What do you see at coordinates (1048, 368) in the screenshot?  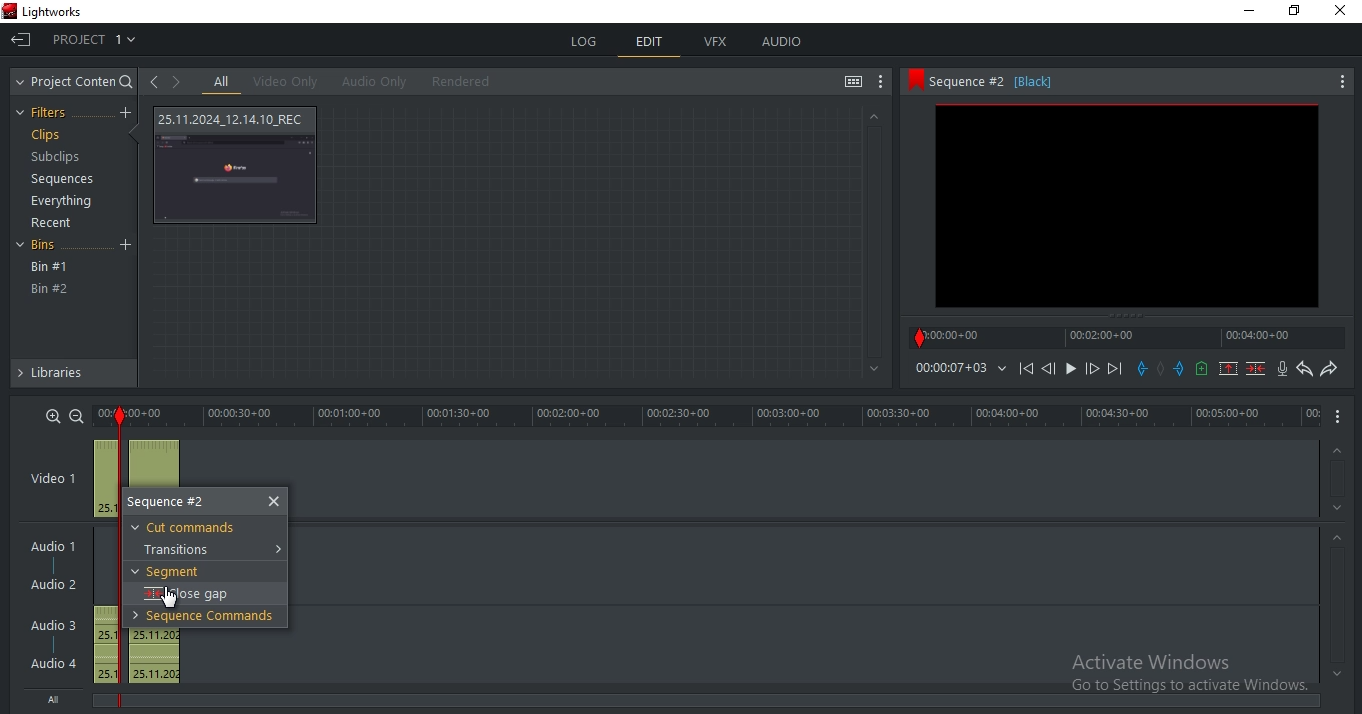 I see `Previous` at bounding box center [1048, 368].